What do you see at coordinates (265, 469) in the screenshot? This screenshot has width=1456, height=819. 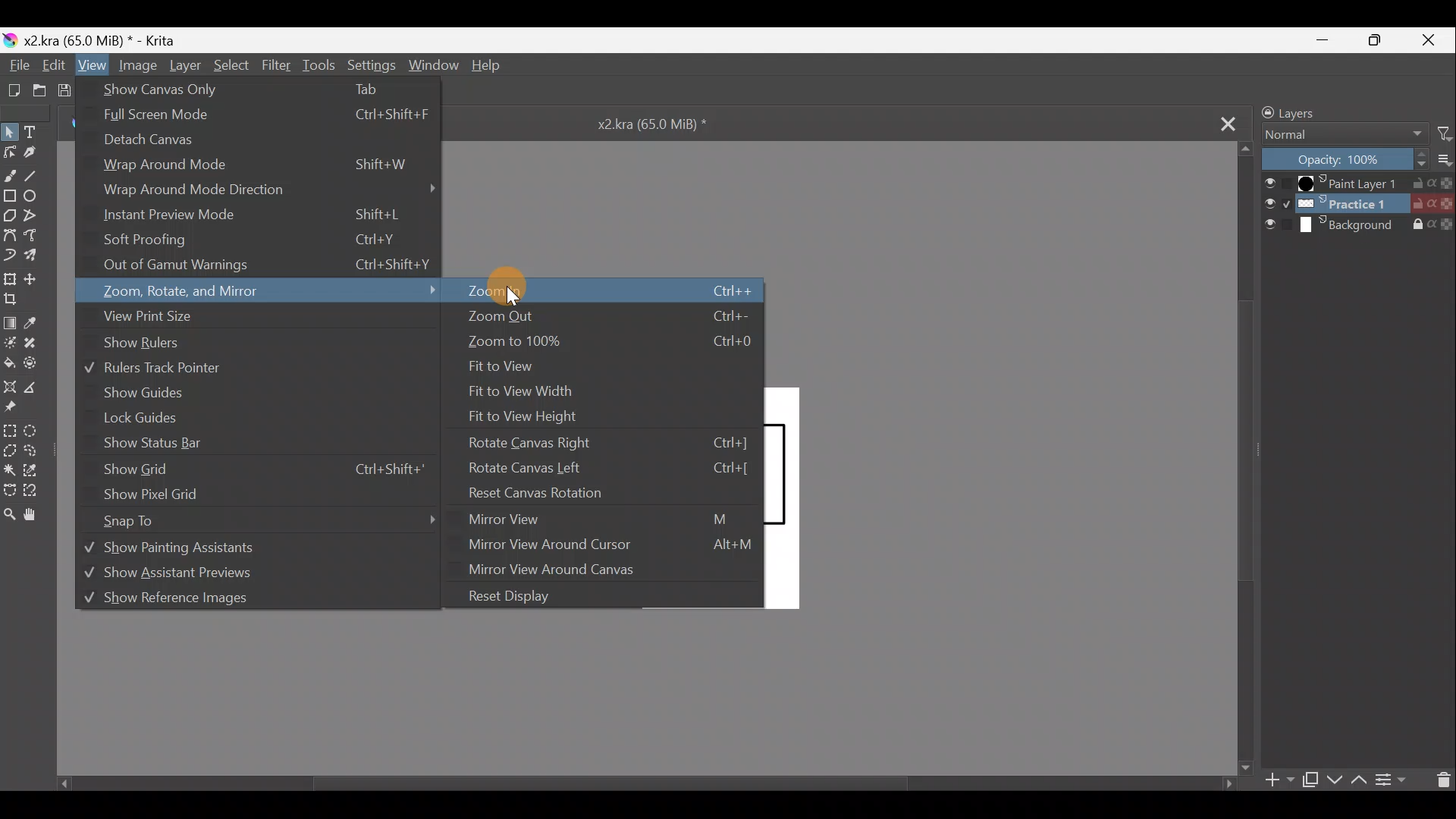 I see `Show grid  Ctrl+Shift+'` at bounding box center [265, 469].